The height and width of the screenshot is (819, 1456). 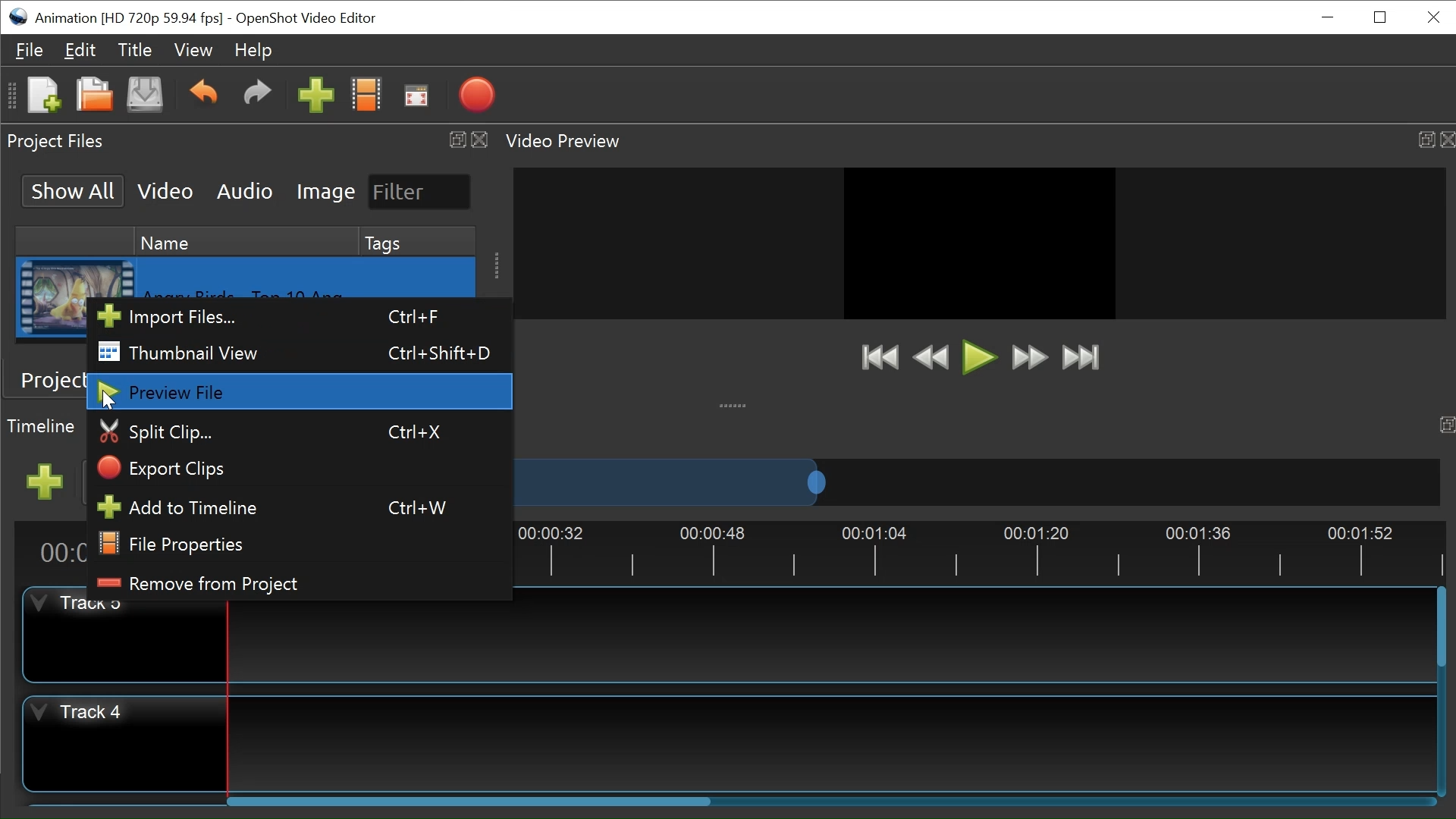 I want to click on Title, so click(x=135, y=52).